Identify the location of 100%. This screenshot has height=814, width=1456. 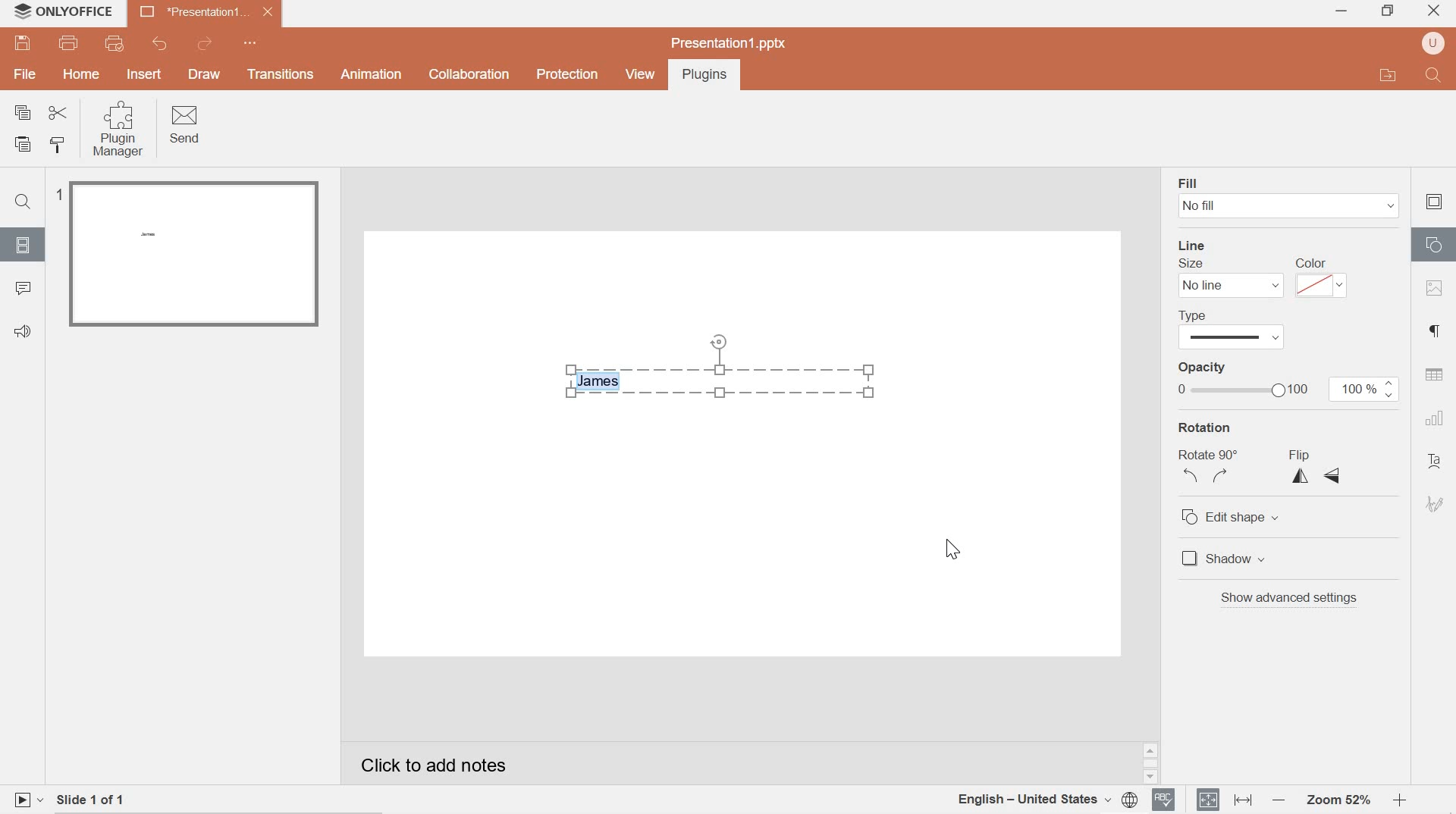
(1363, 390).